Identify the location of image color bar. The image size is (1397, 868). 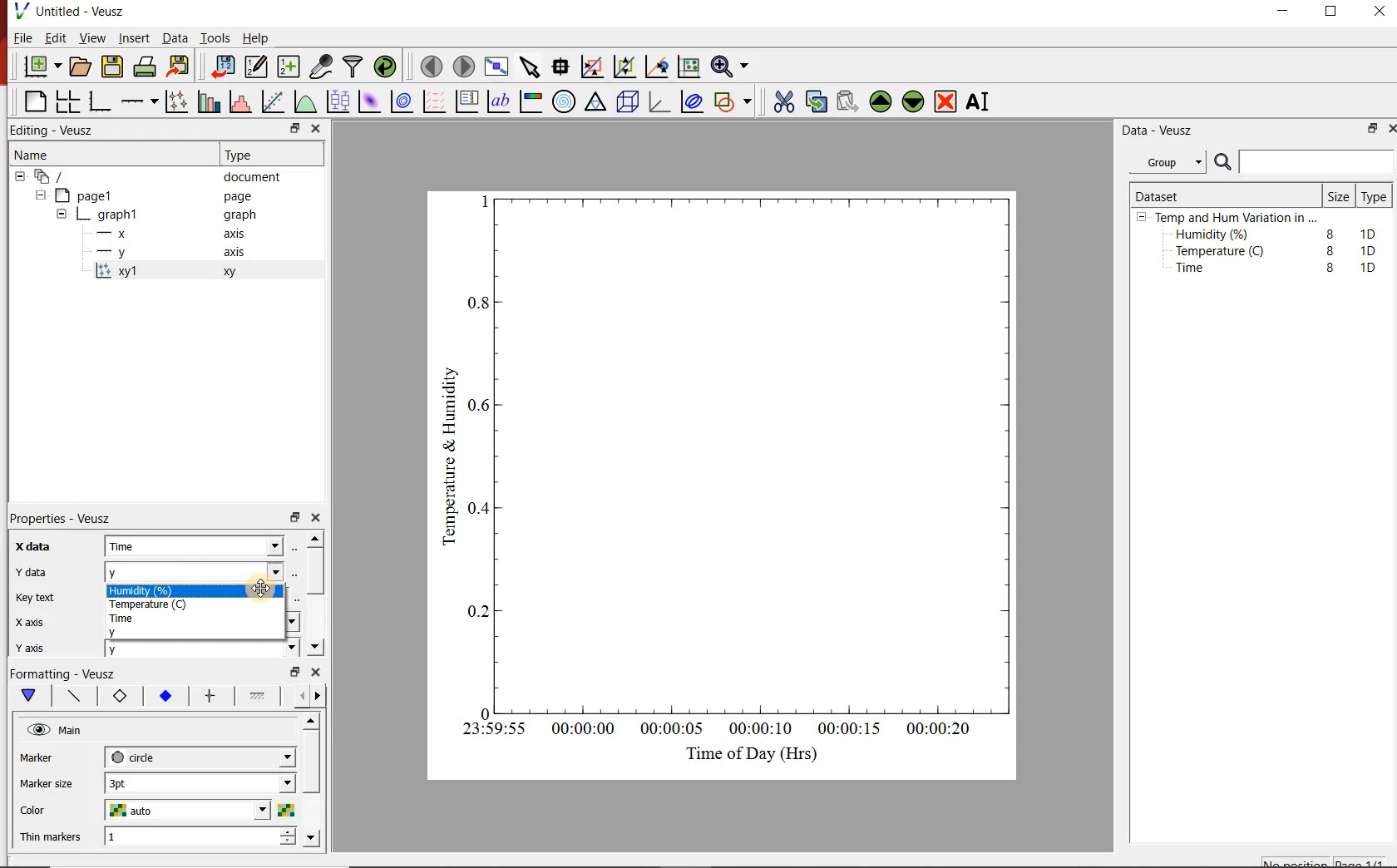
(534, 101).